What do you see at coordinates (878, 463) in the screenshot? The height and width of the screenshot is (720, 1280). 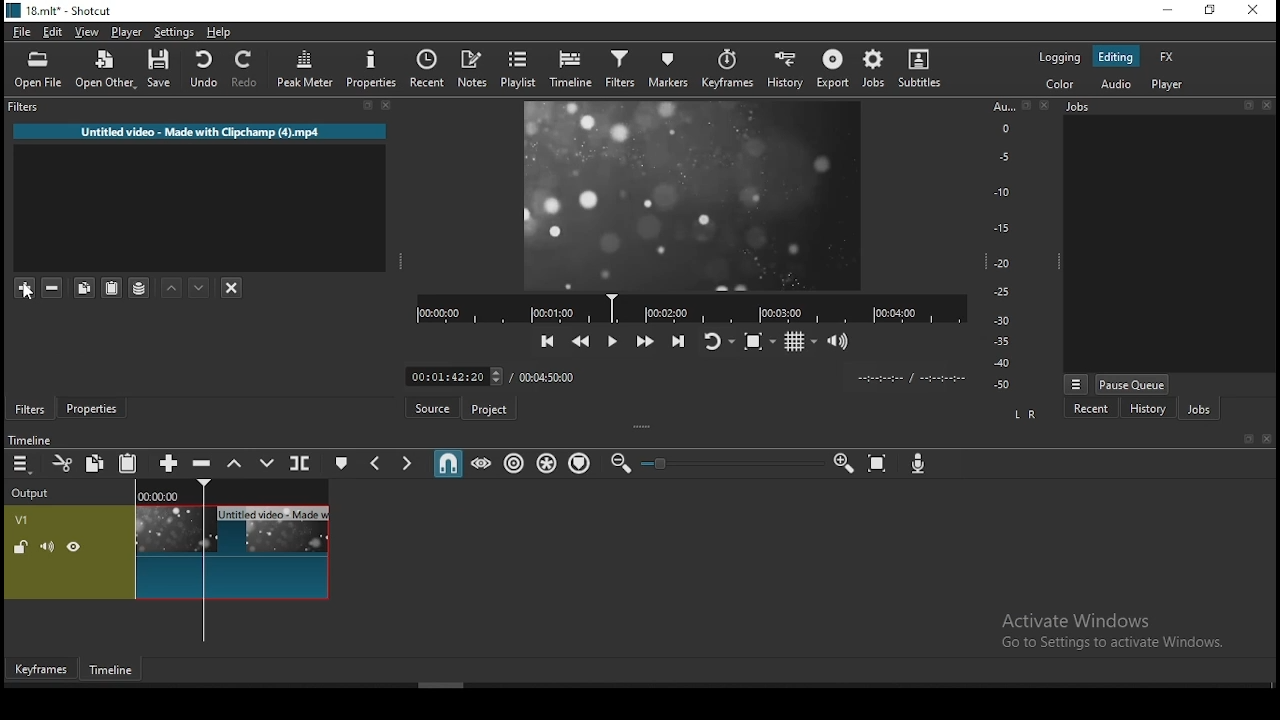 I see `zoom timeline to fit` at bounding box center [878, 463].